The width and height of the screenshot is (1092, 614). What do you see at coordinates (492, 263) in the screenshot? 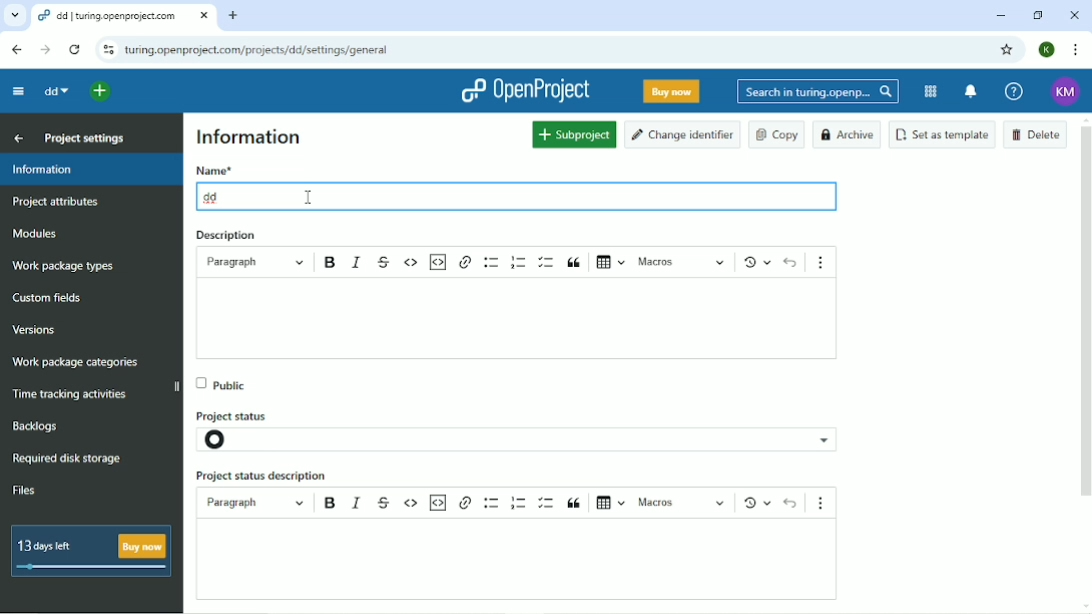
I see `Bulleted list` at bounding box center [492, 263].